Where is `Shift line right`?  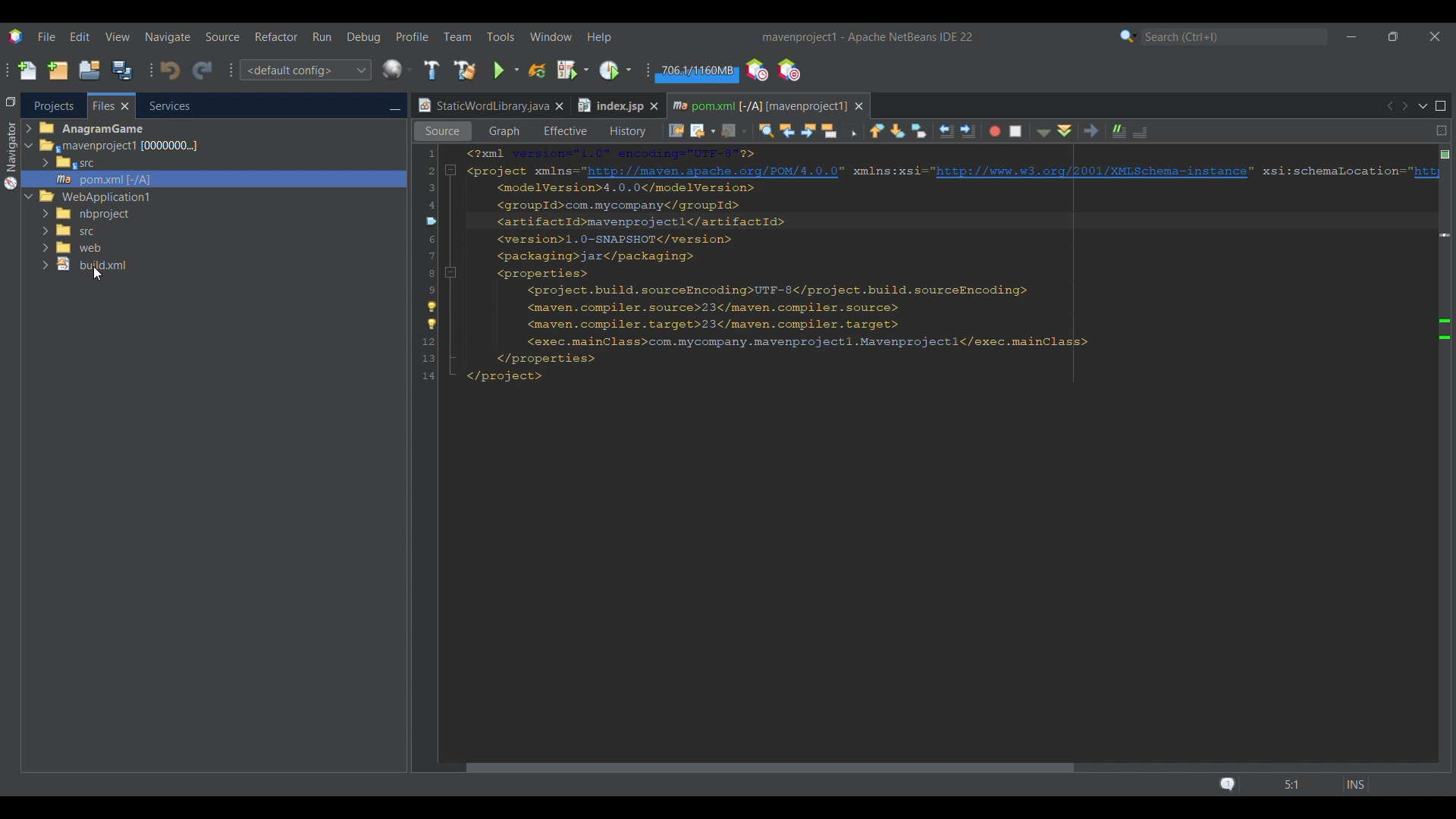
Shift line right is located at coordinates (964, 130).